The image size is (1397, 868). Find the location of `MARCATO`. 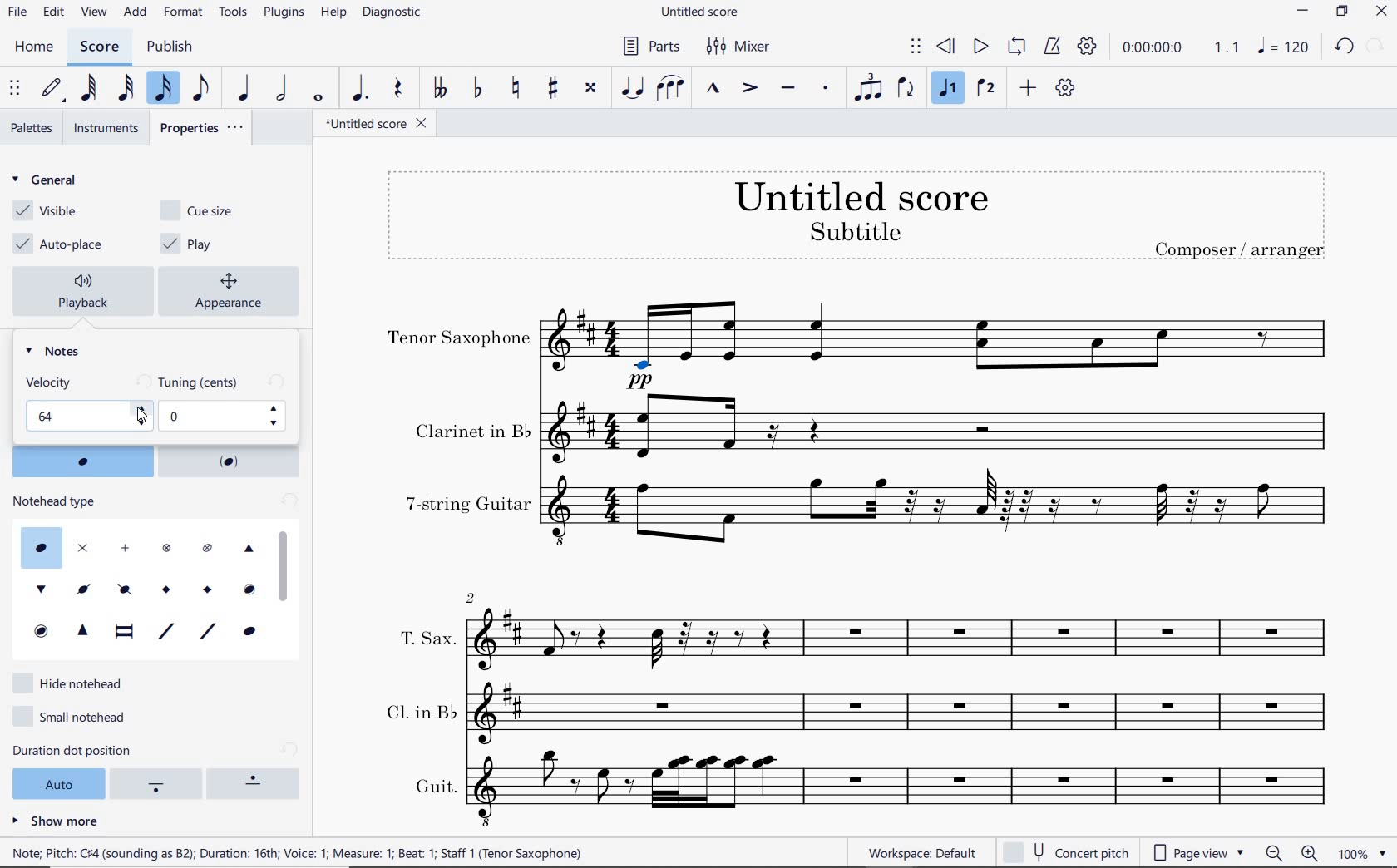

MARCATO is located at coordinates (713, 90).